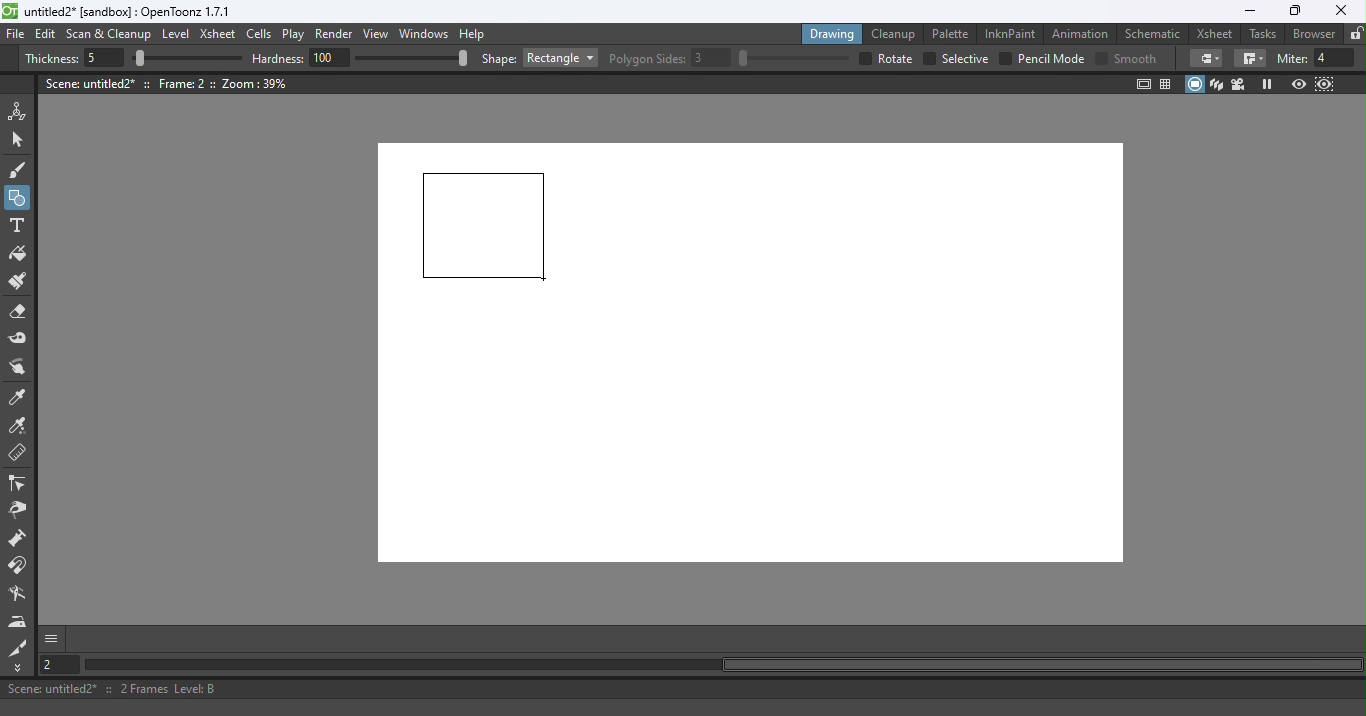  Describe the element at coordinates (499, 60) in the screenshot. I see `shape` at that location.